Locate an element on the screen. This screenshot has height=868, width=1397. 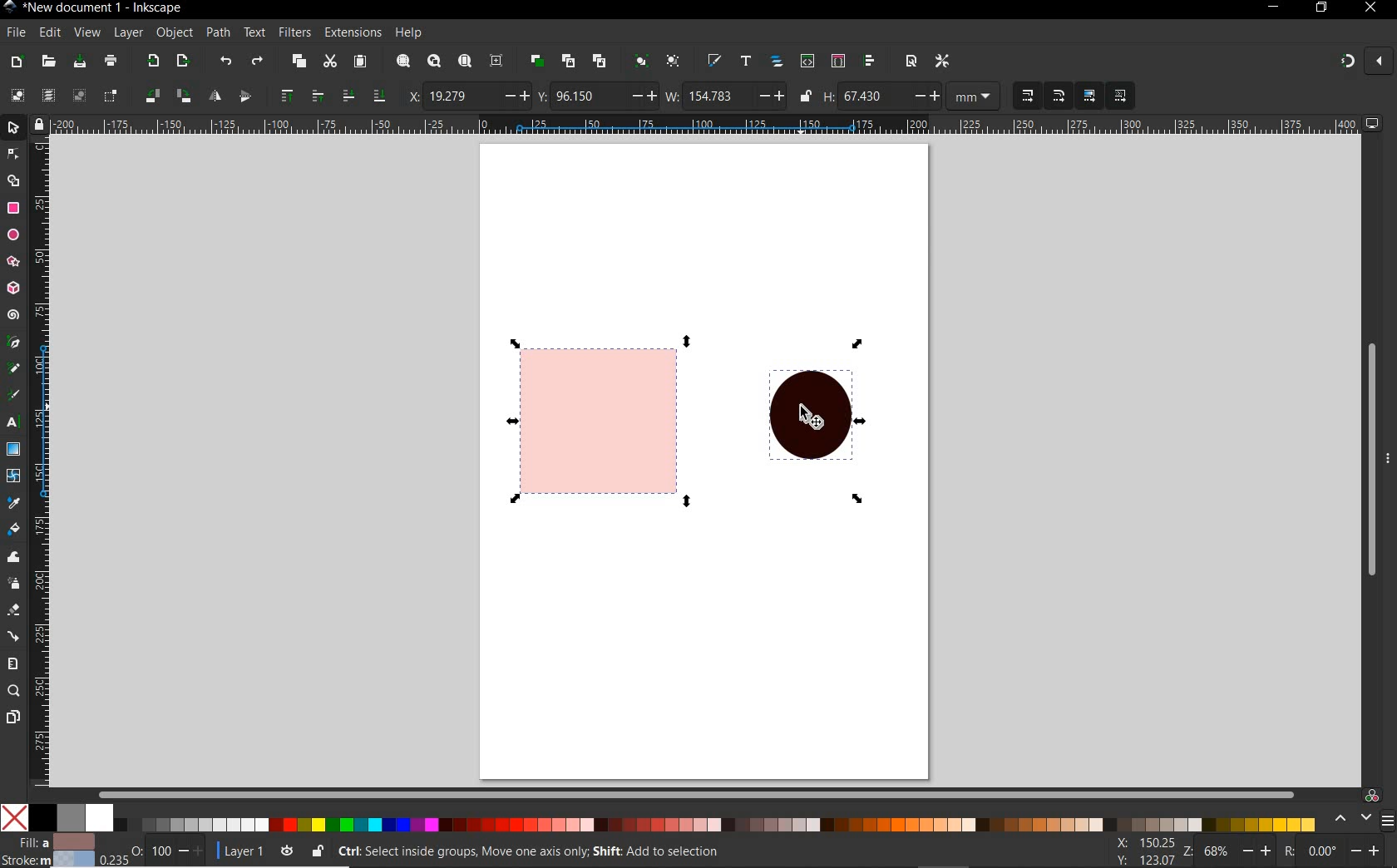
cut is located at coordinates (330, 61).